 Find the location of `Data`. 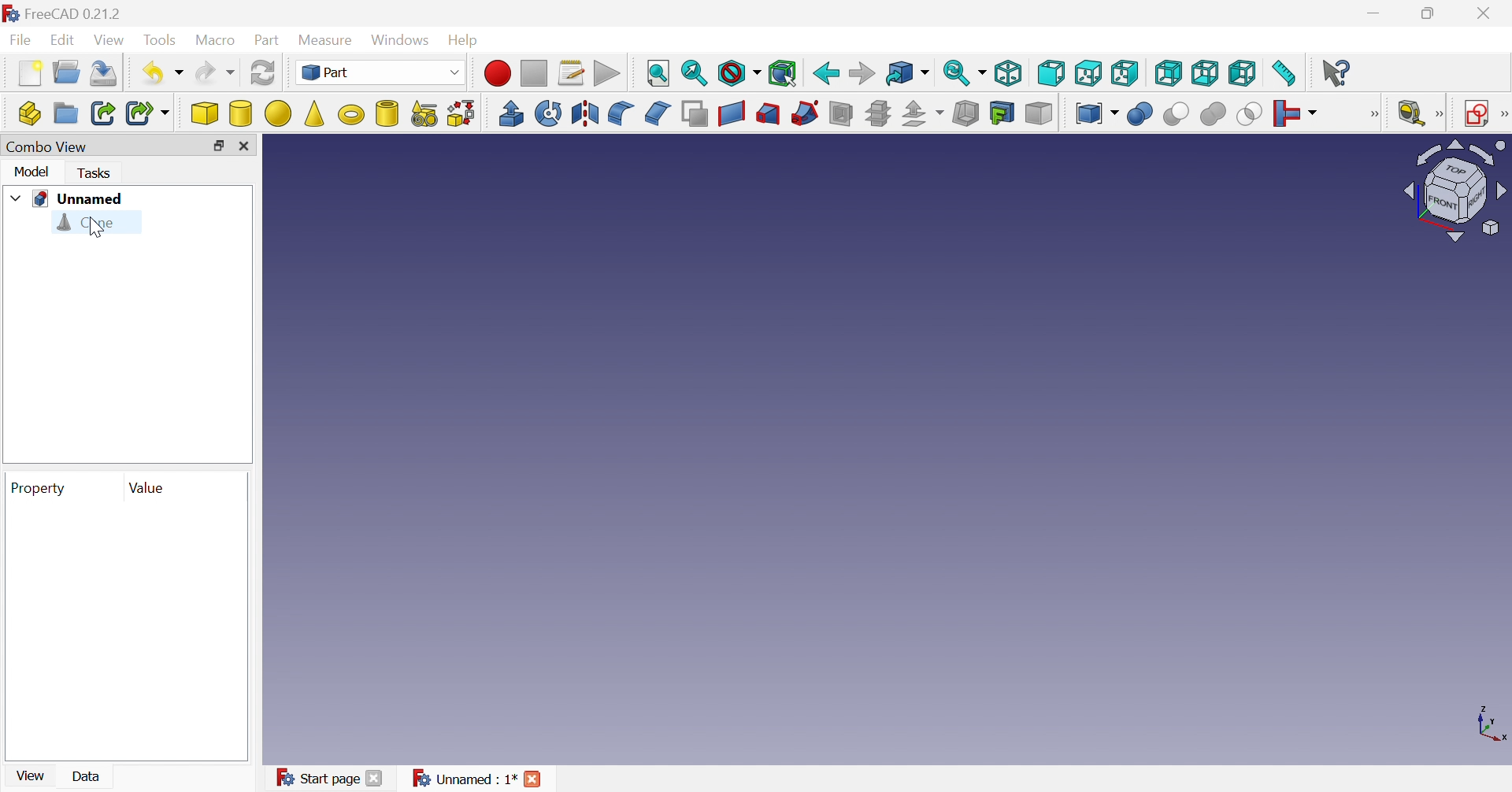

Data is located at coordinates (89, 778).